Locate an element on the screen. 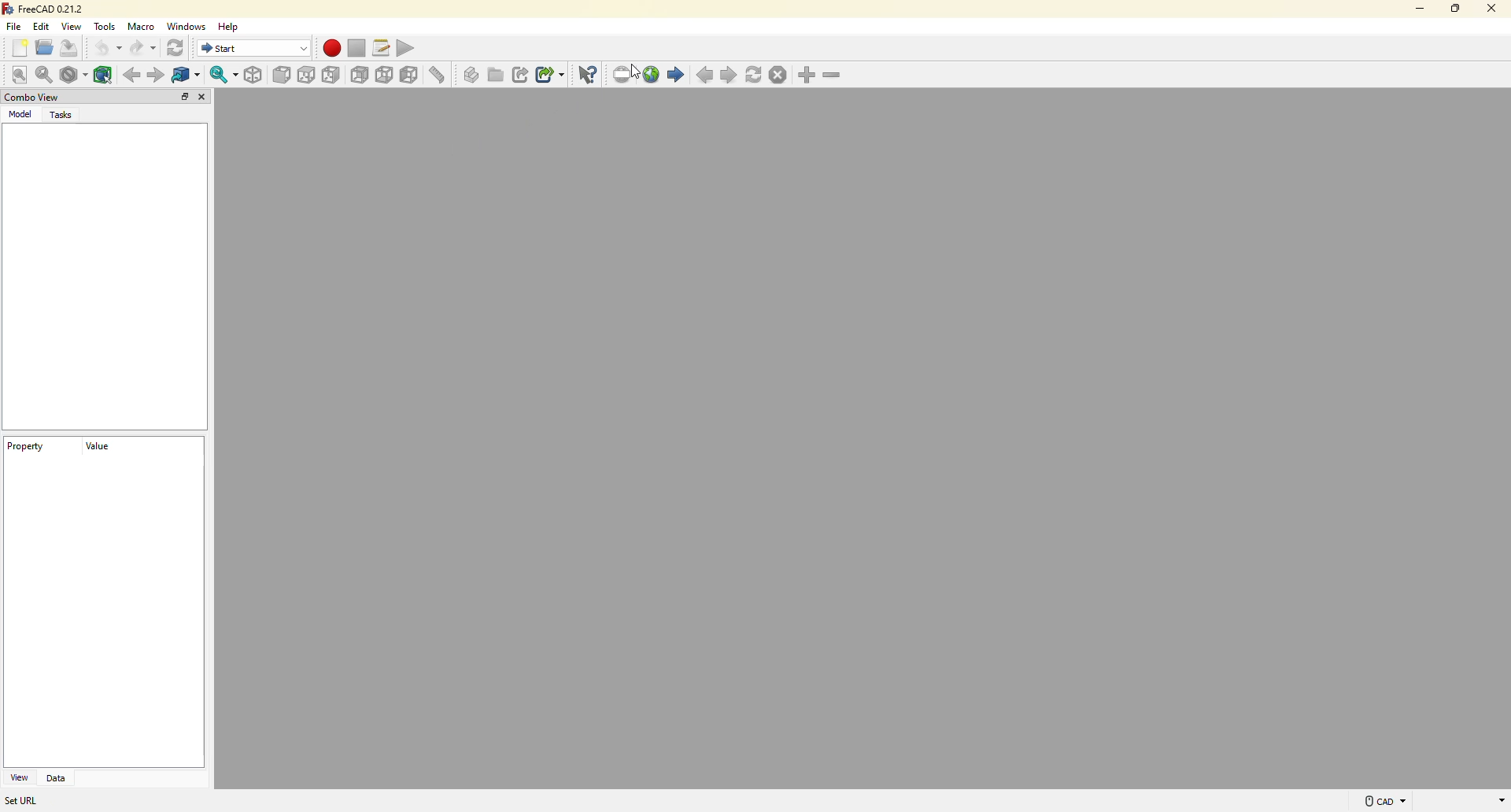 This screenshot has height=812, width=1511. tools is located at coordinates (106, 27).